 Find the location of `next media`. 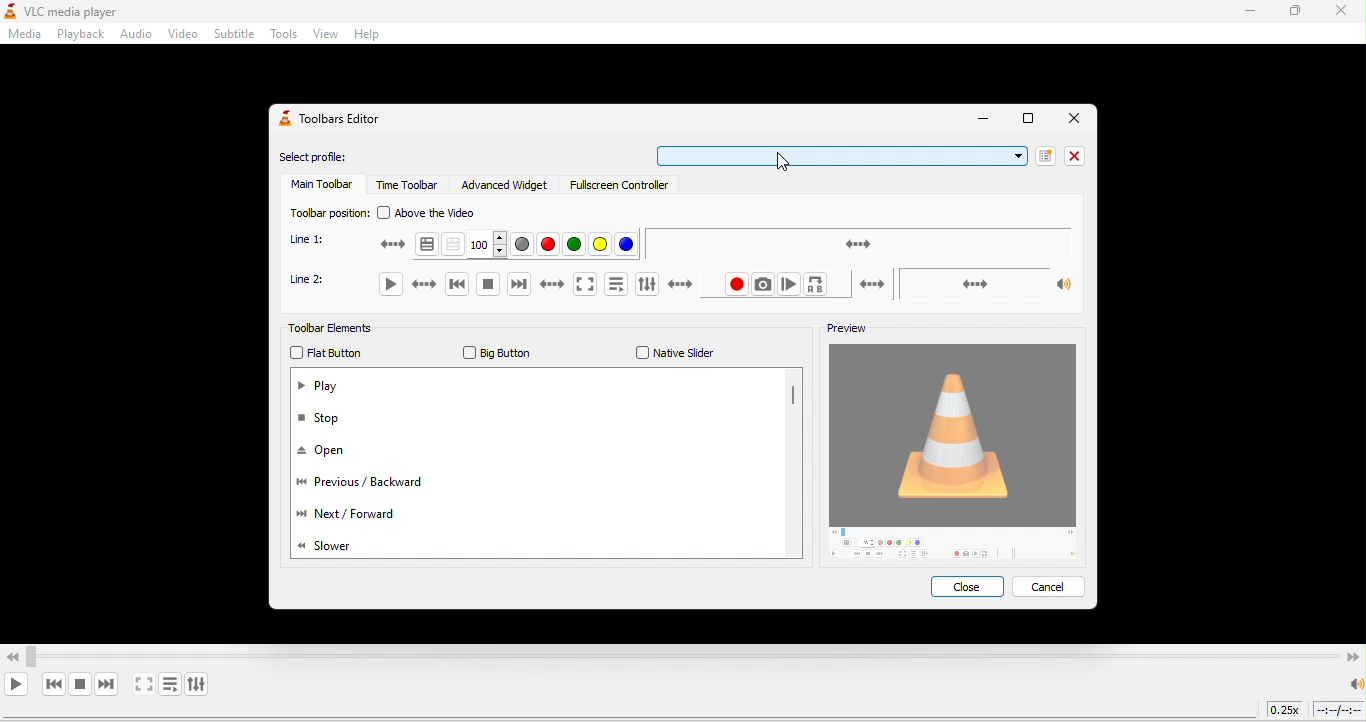

next media is located at coordinates (109, 684).